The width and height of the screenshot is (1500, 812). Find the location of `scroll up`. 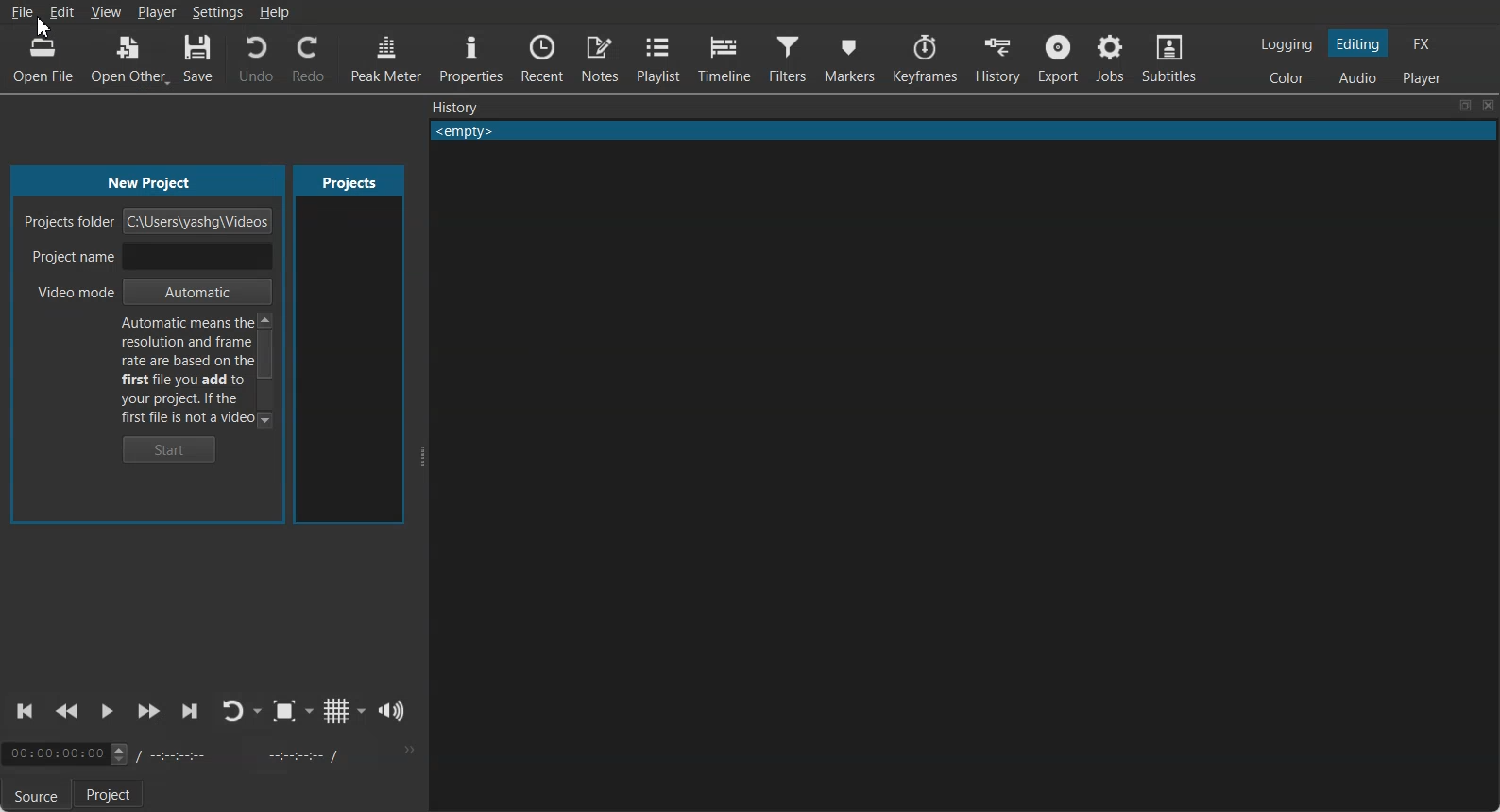

scroll up is located at coordinates (265, 319).